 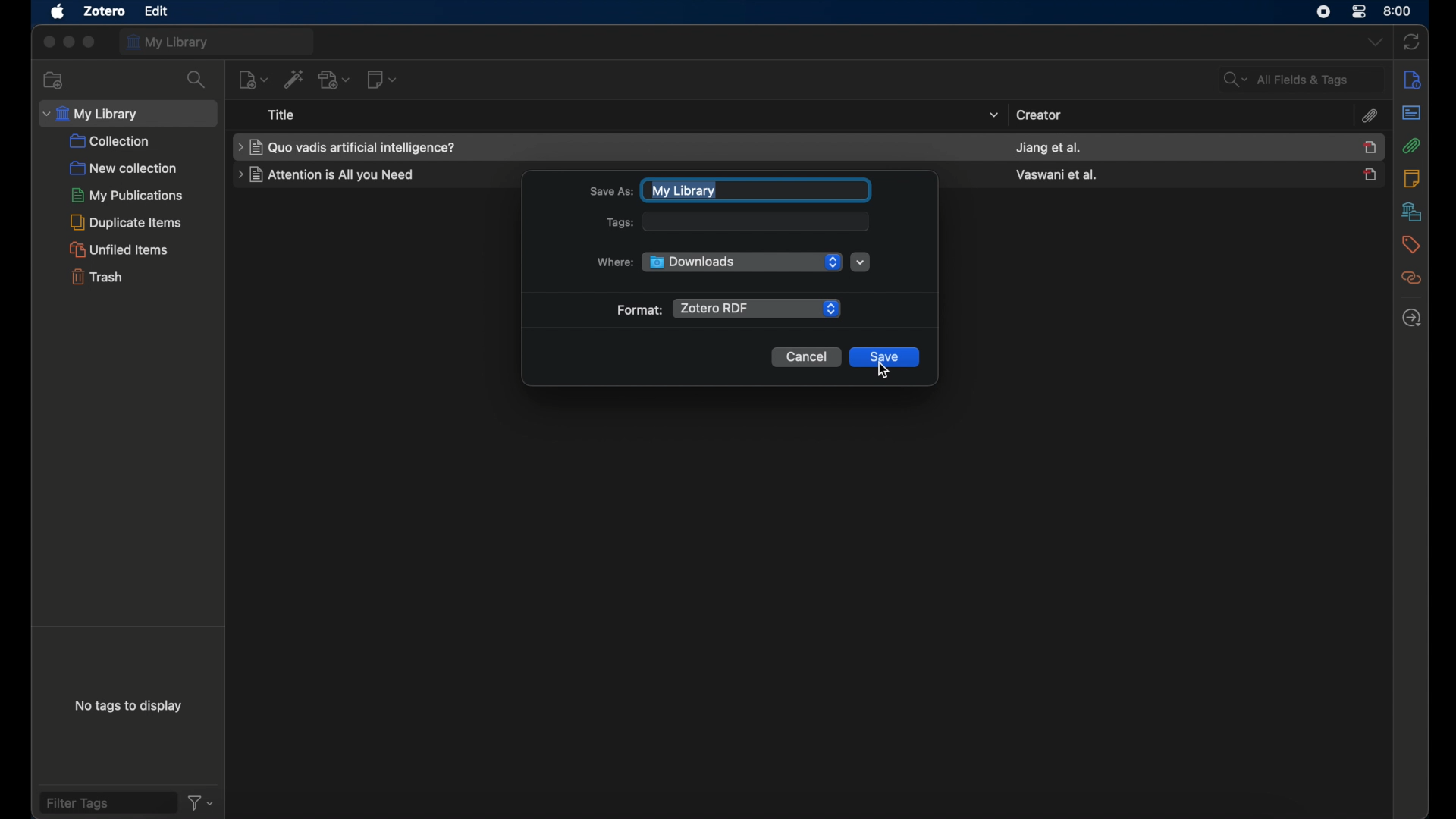 What do you see at coordinates (68, 42) in the screenshot?
I see `minimize` at bounding box center [68, 42].